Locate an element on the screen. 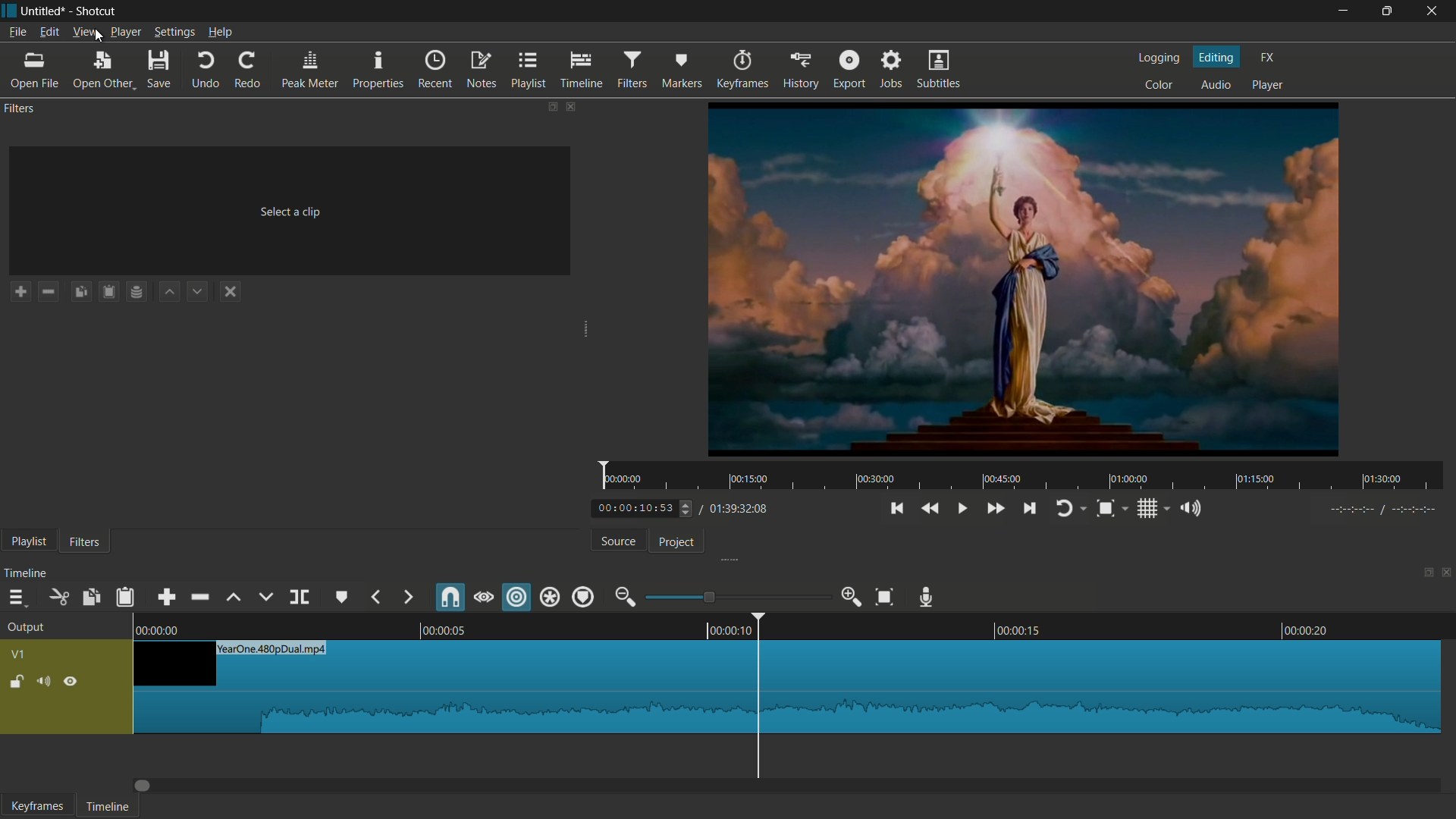 This screenshot has width=1456, height=819. jobs is located at coordinates (890, 70).